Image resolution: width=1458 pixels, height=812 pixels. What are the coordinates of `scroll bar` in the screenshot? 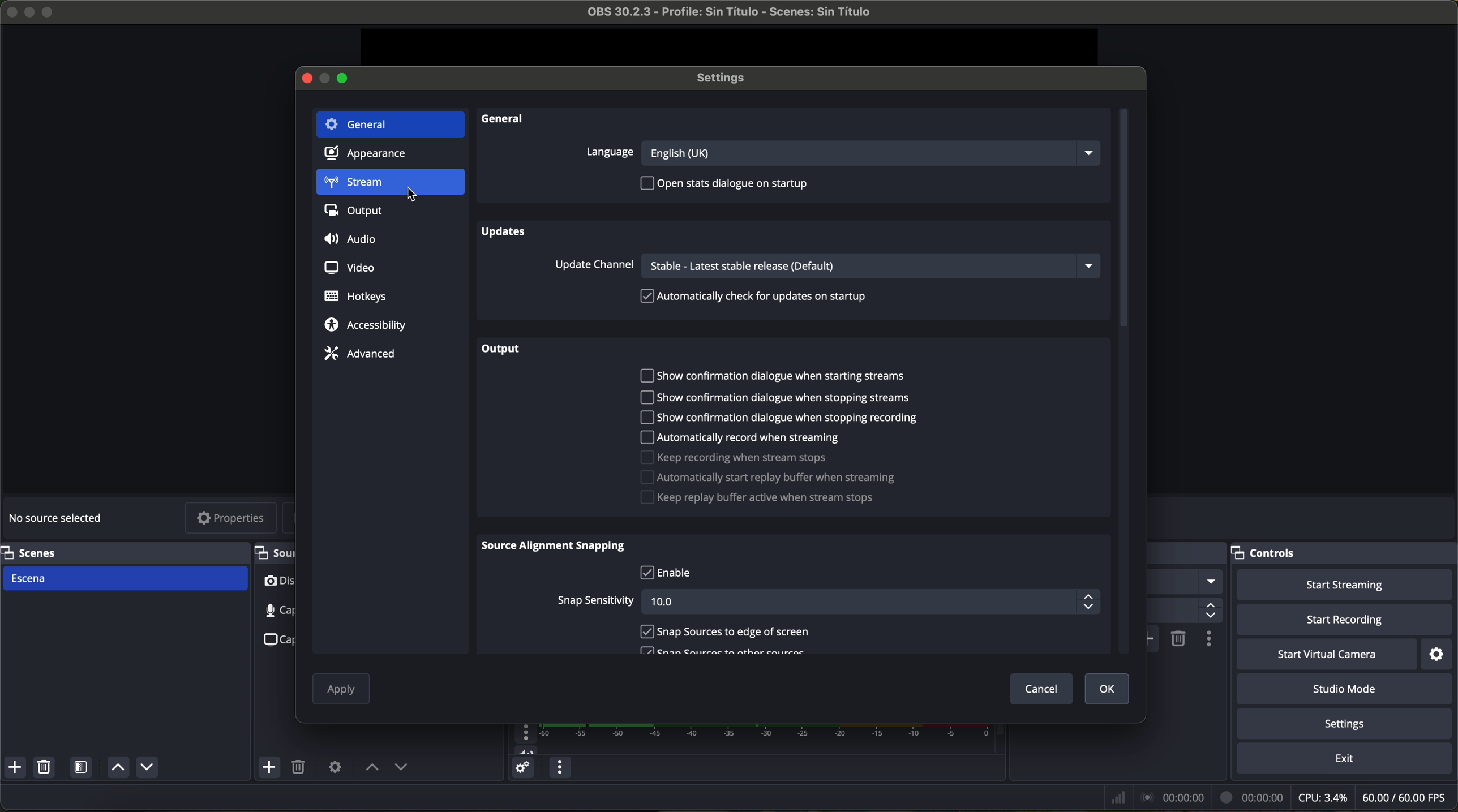 It's located at (1127, 380).